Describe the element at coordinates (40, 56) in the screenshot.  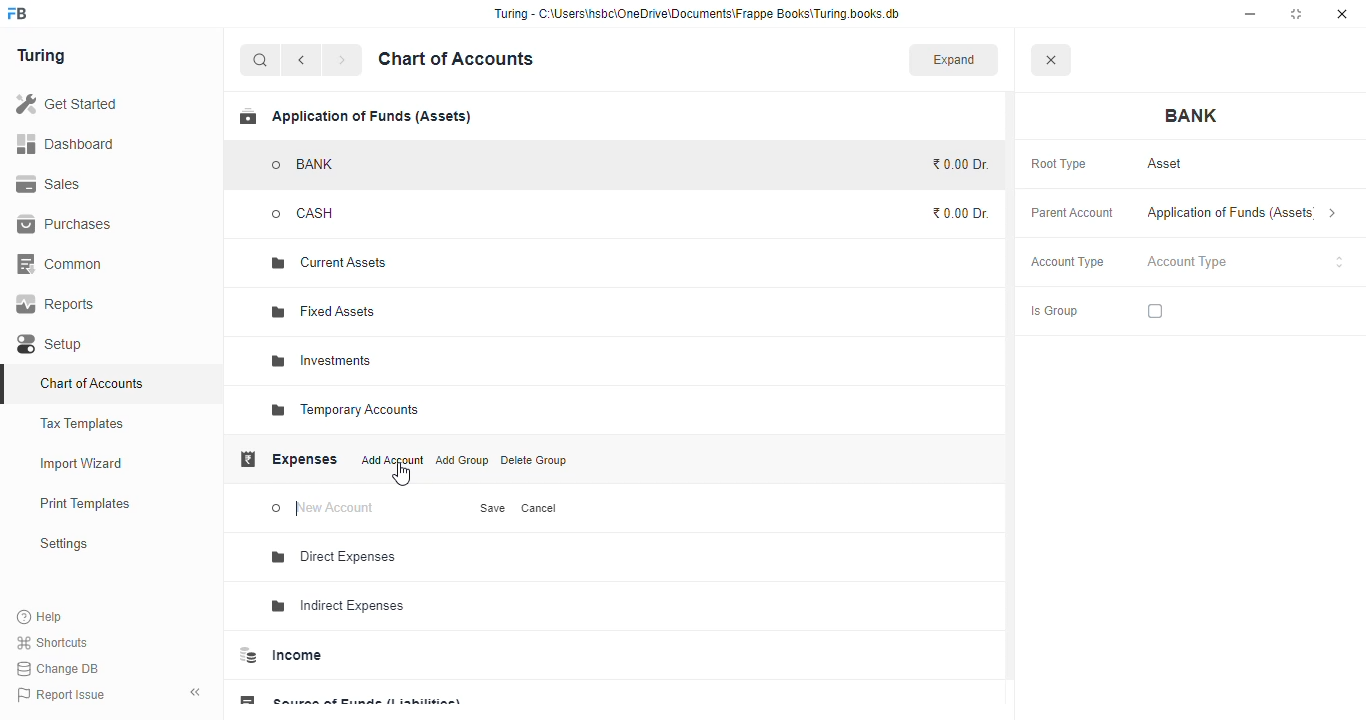
I see `turing` at that location.